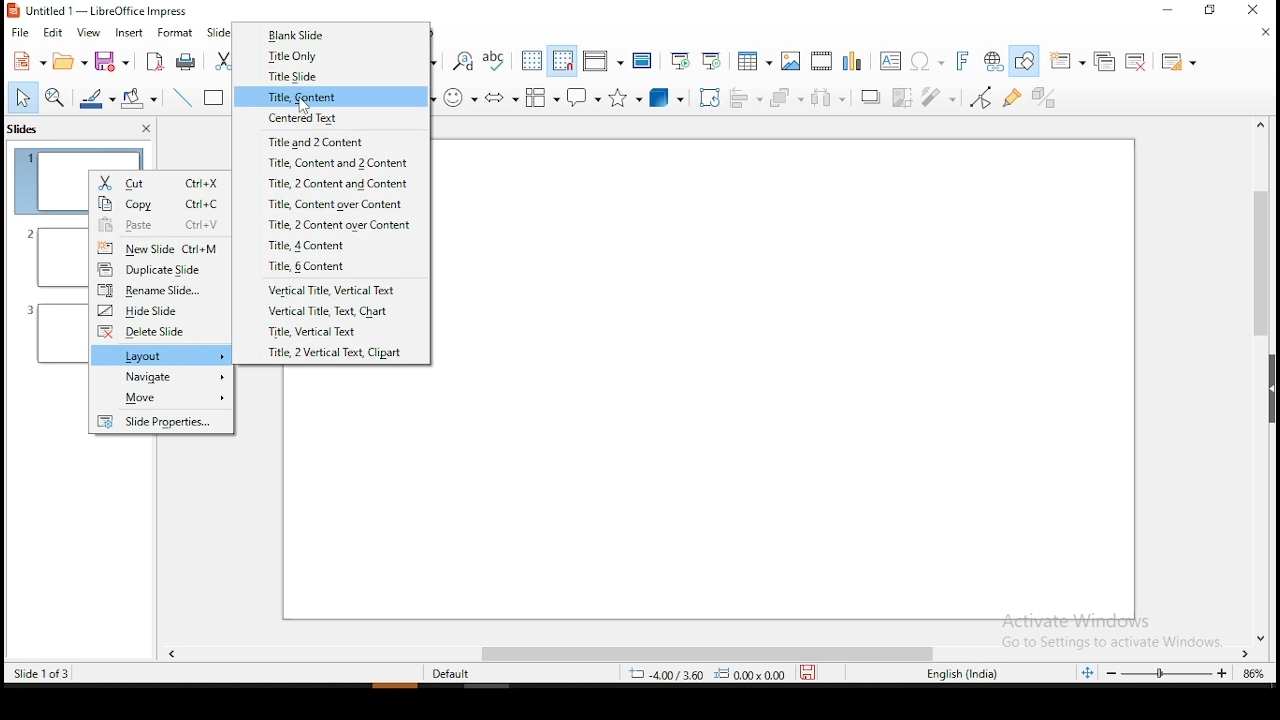  I want to click on insert video, so click(821, 60).